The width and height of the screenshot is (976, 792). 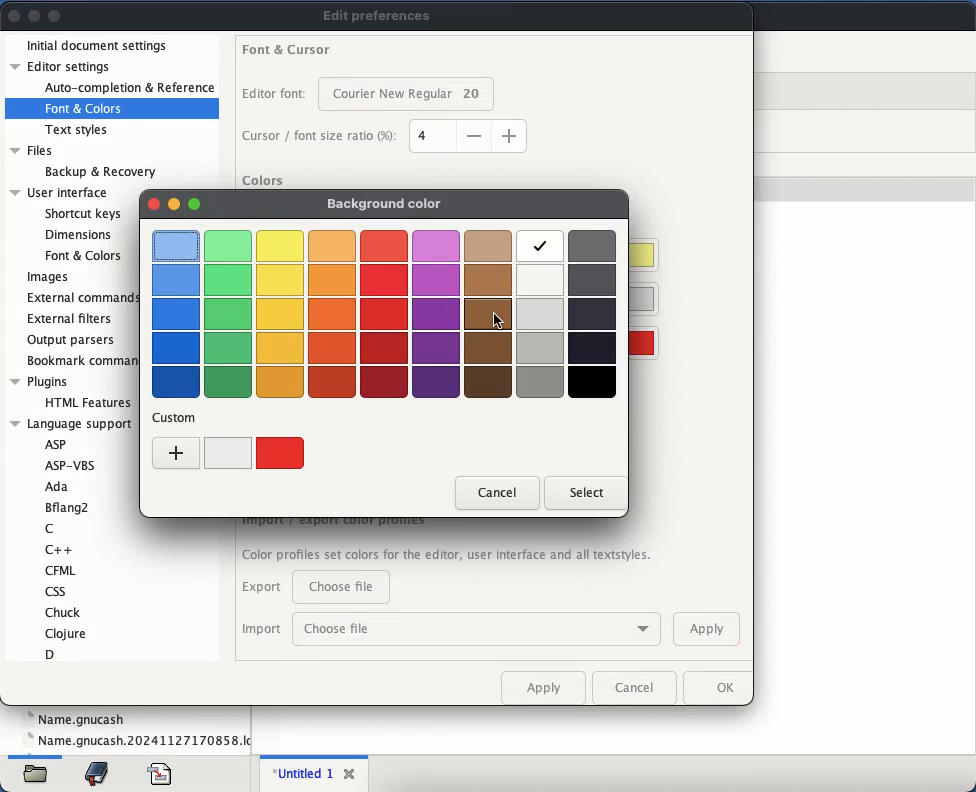 What do you see at coordinates (60, 192) in the screenshot?
I see `User interface` at bounding box center [60, 192].